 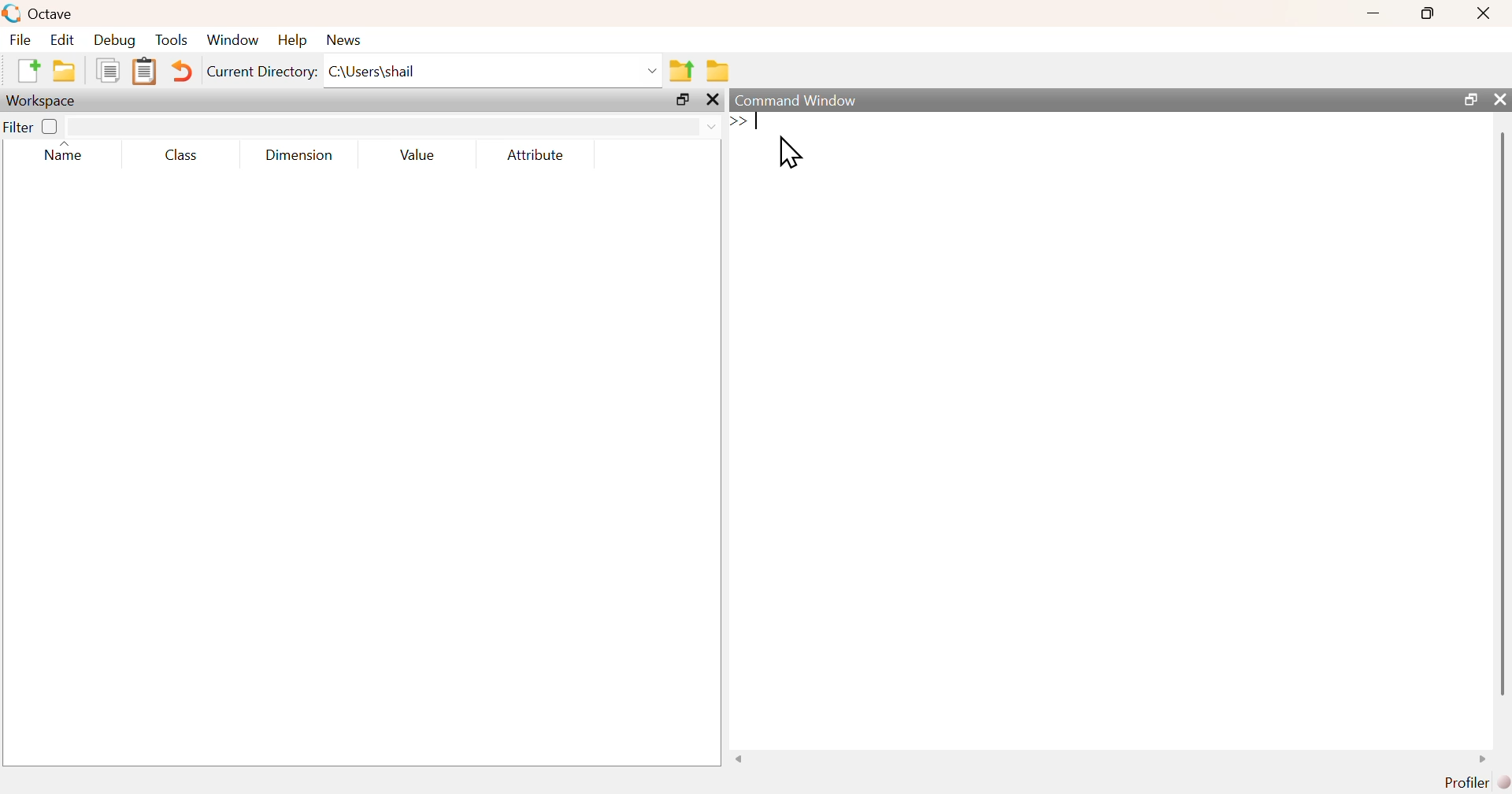 What do you see at coordinates (43, 102) in the screenshot?
I see `Workspace` at bounding box center [43, 102].